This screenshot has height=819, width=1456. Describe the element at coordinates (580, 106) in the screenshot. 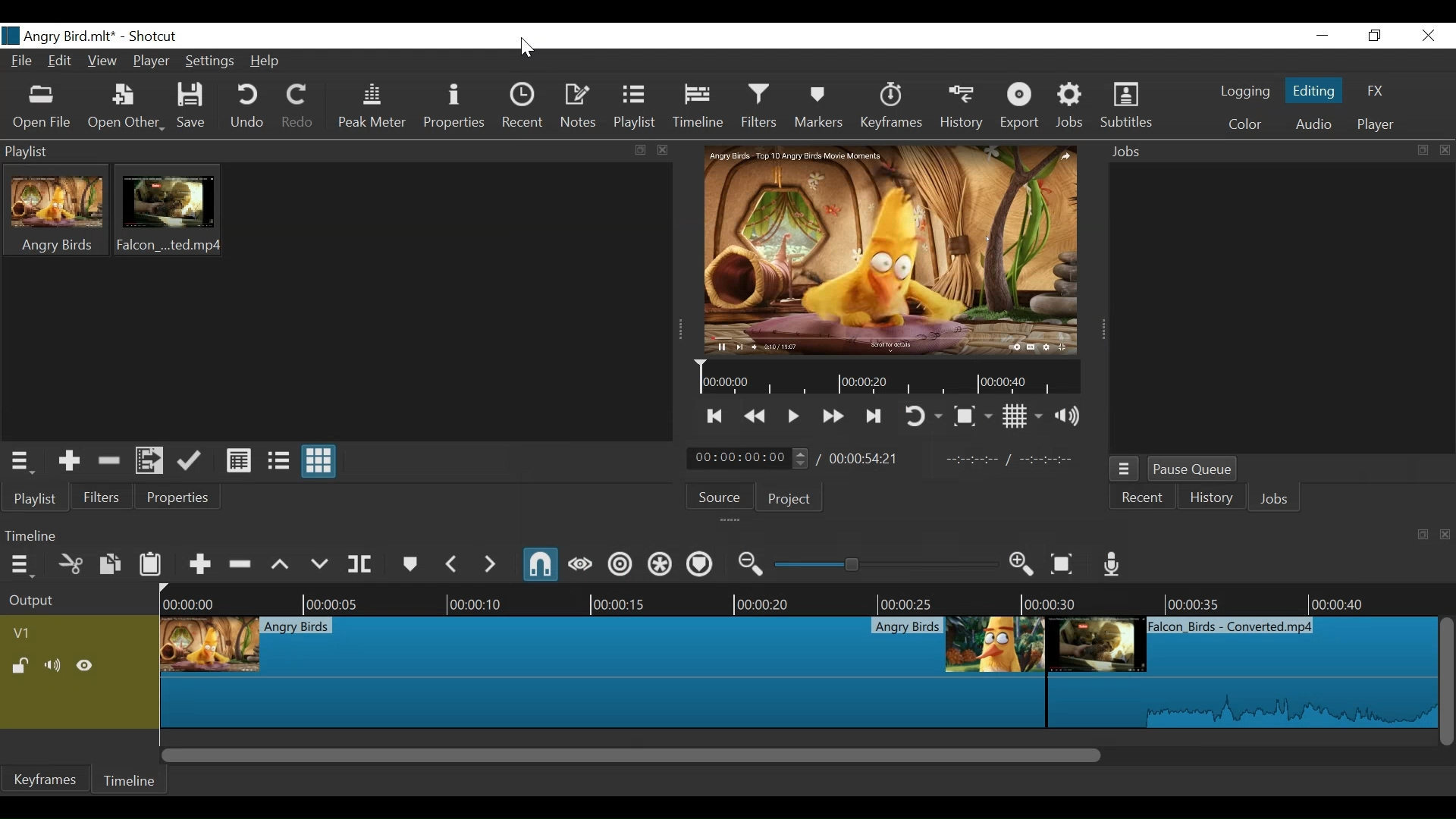

I see `Notes` at that location.